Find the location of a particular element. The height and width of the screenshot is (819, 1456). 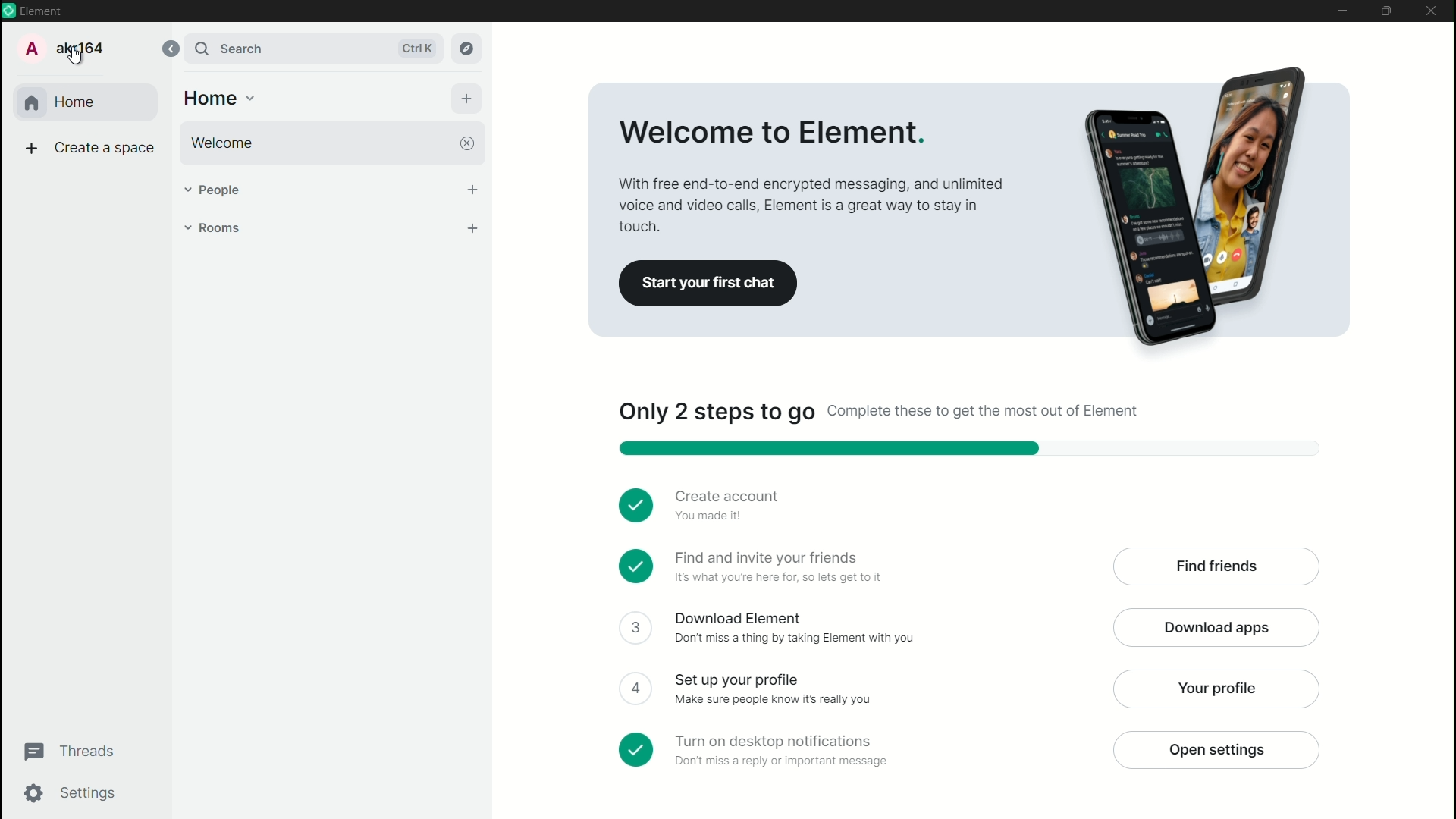

Find and invite your friends it's what you are here for so let's get to it is located at coordinates (777, 567).